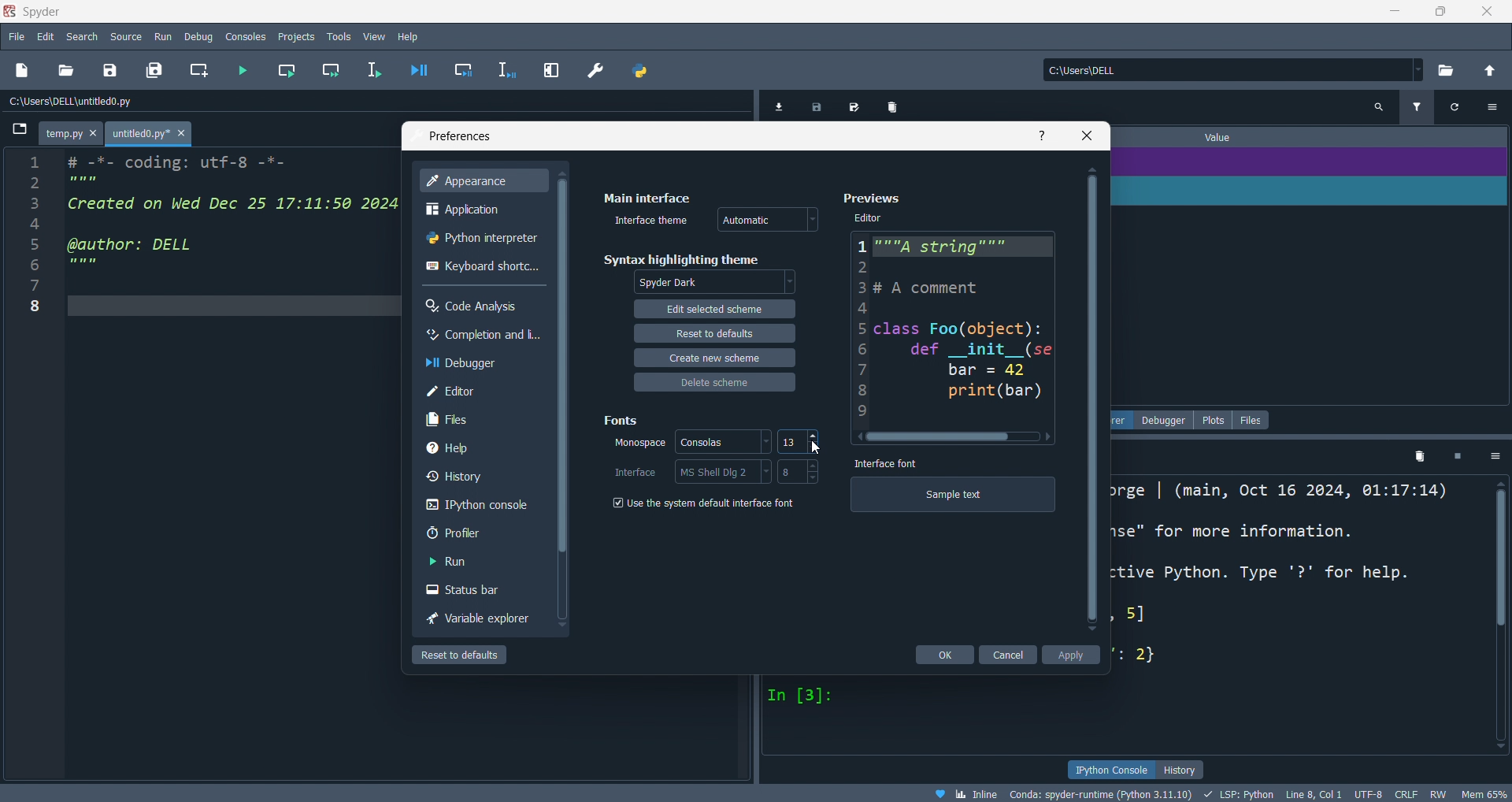 This screenshot has height=802, width=1512. I want to click on debug line, so click(505, 70).